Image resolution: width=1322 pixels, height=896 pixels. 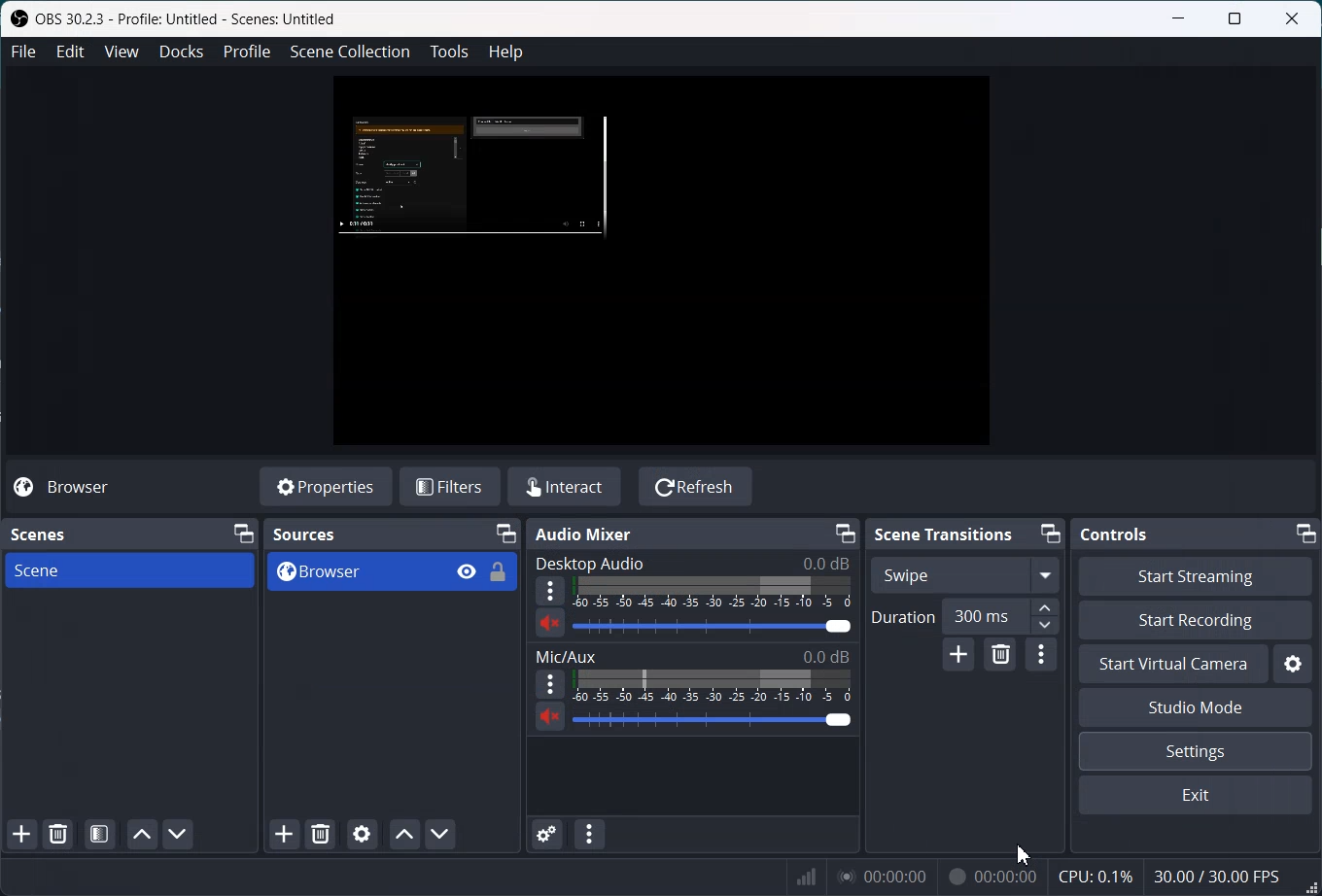 What do you see at coordinates (1041, 658) in the screenshot?
I see `Transition Properties` at bounding box center [1041, 658].